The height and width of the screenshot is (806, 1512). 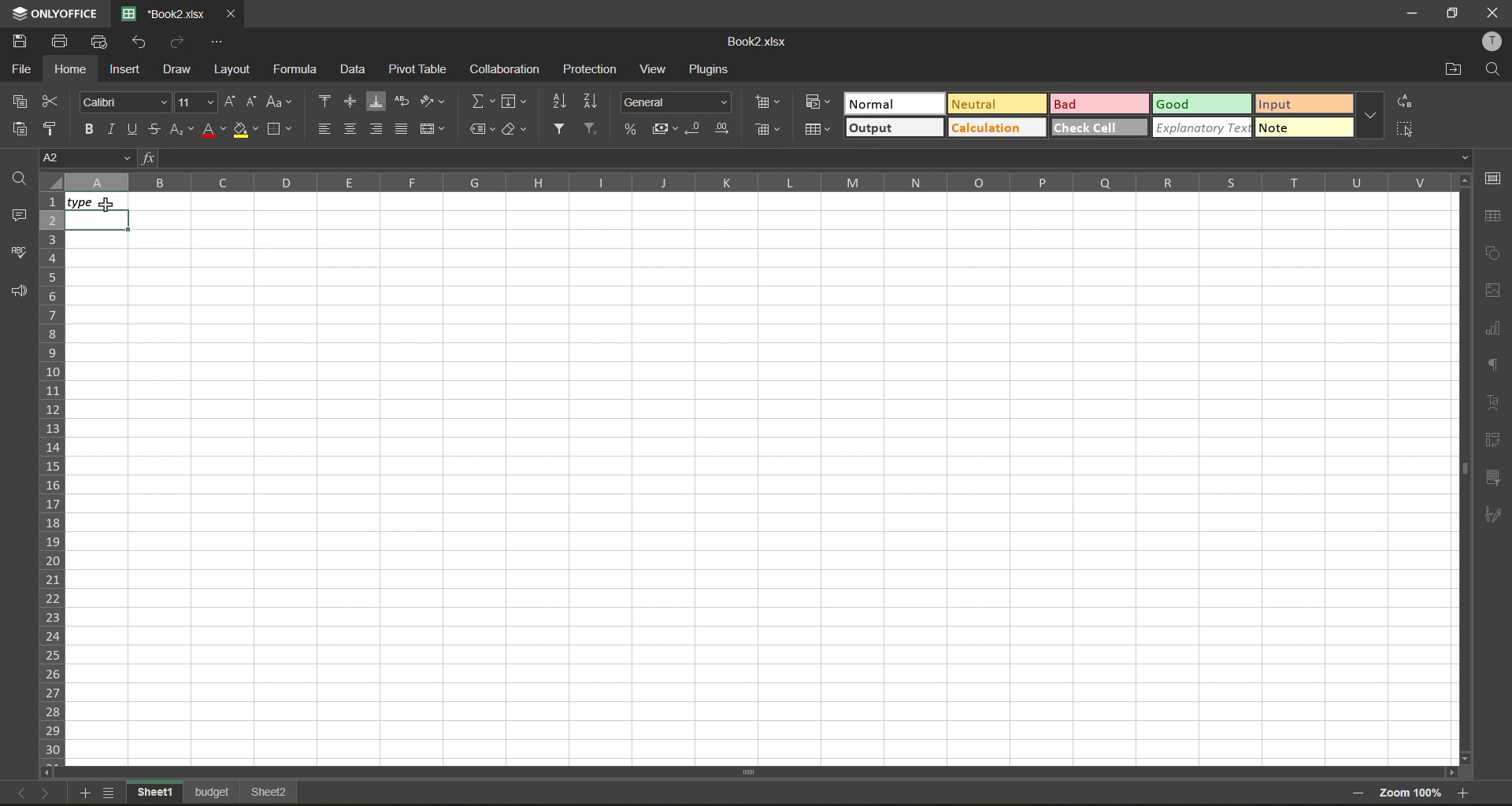 What do you see at coordinates (137, 130) in the screenshot?
I see `underline` at bounding box center [137, 130].